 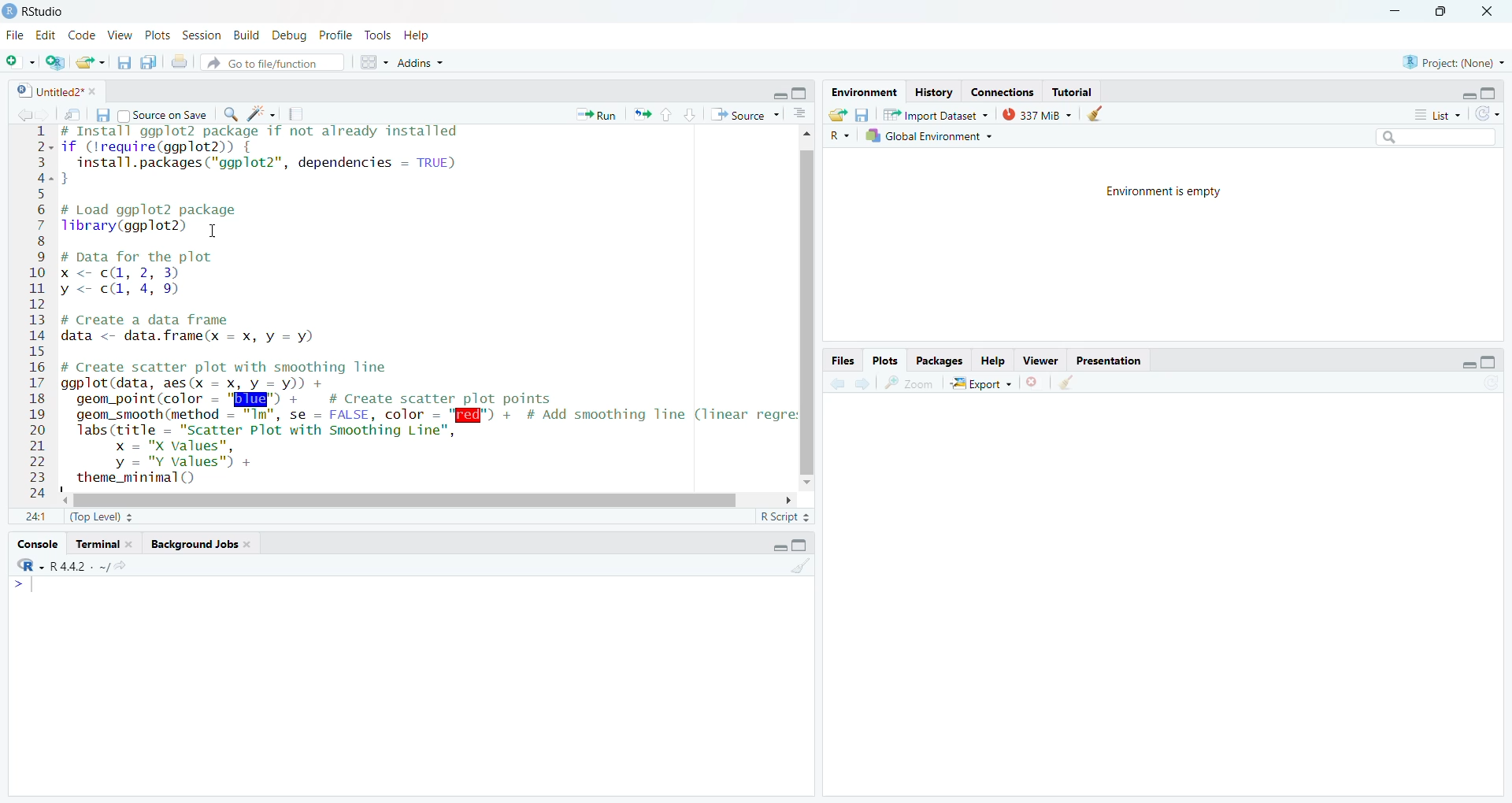 I want to click on File, so click(x=13, y=35).